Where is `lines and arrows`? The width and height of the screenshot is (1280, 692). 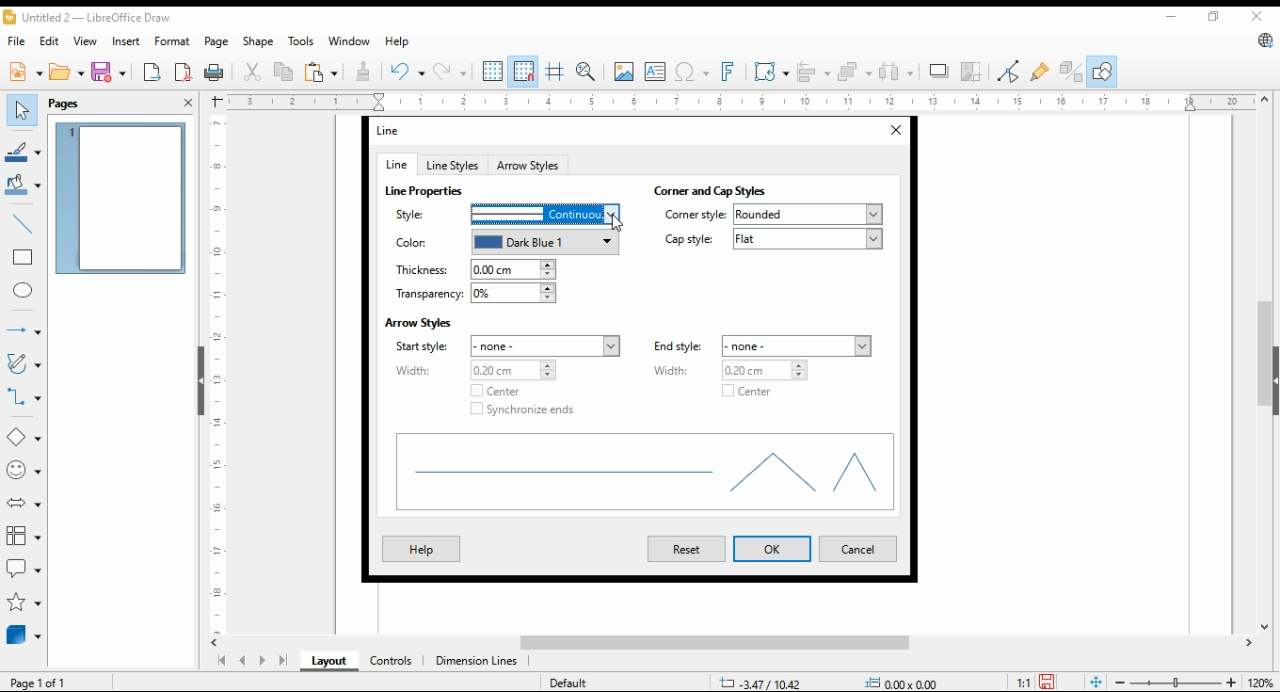
lines and arrows is located at coordinates (23, 331).